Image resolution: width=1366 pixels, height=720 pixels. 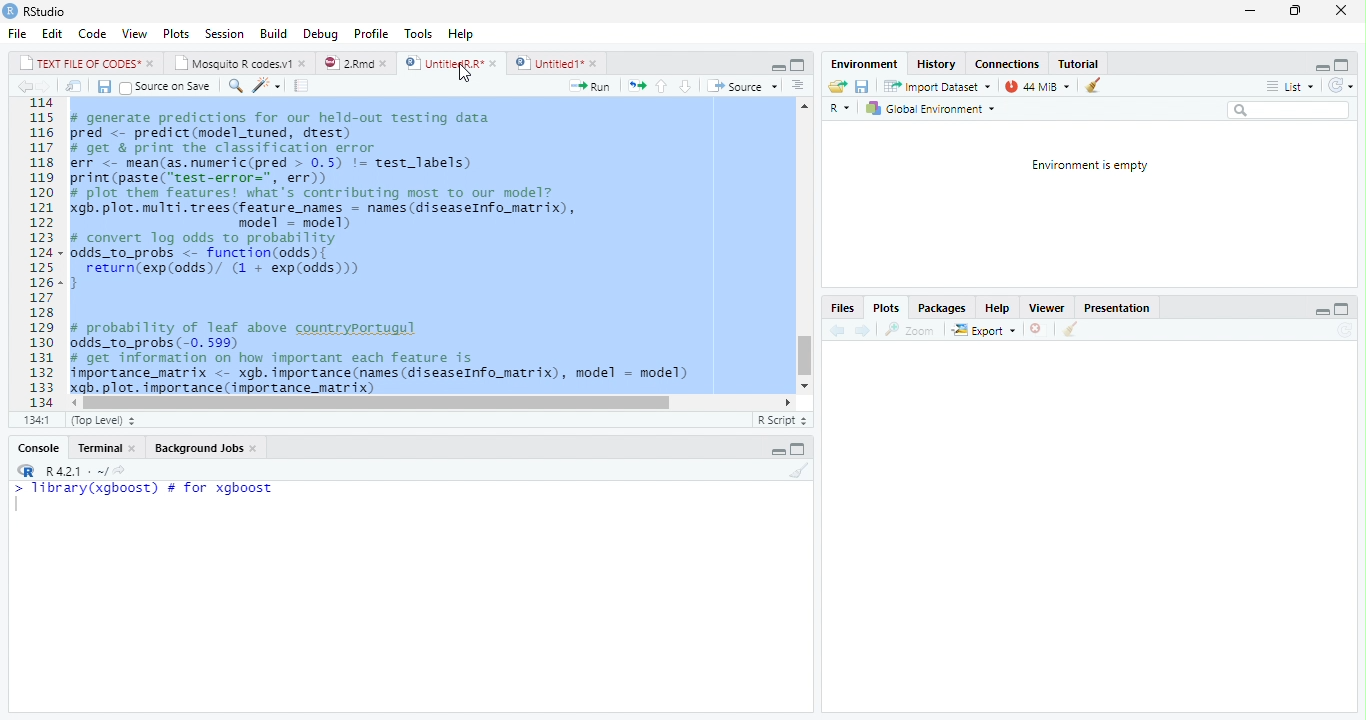 What do you see at coordinates (164, 87) in the screenshot?
I see `Source on Save` at bounding box center [164, 87].